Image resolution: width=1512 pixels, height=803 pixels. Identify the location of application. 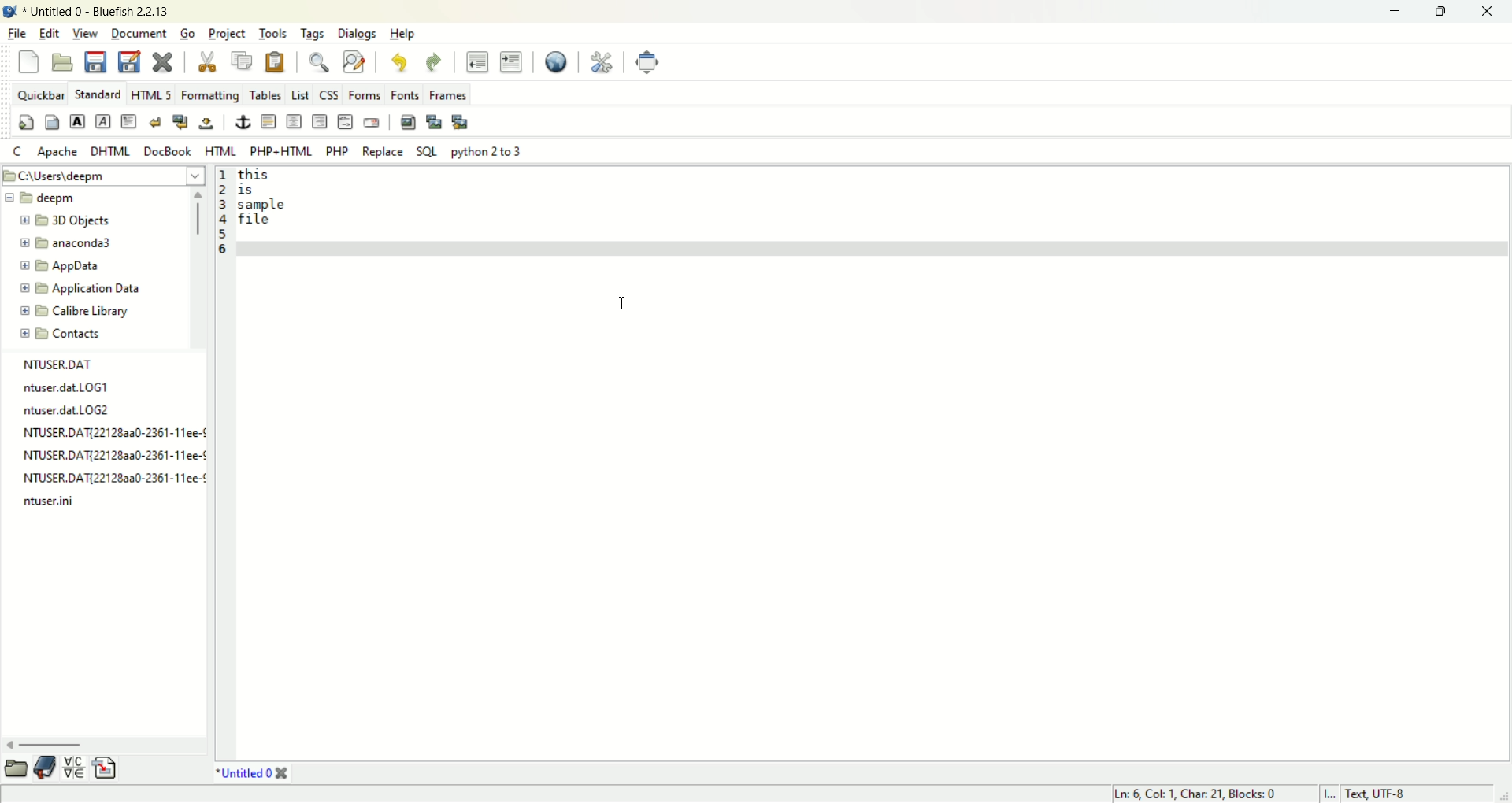
(80, 287).